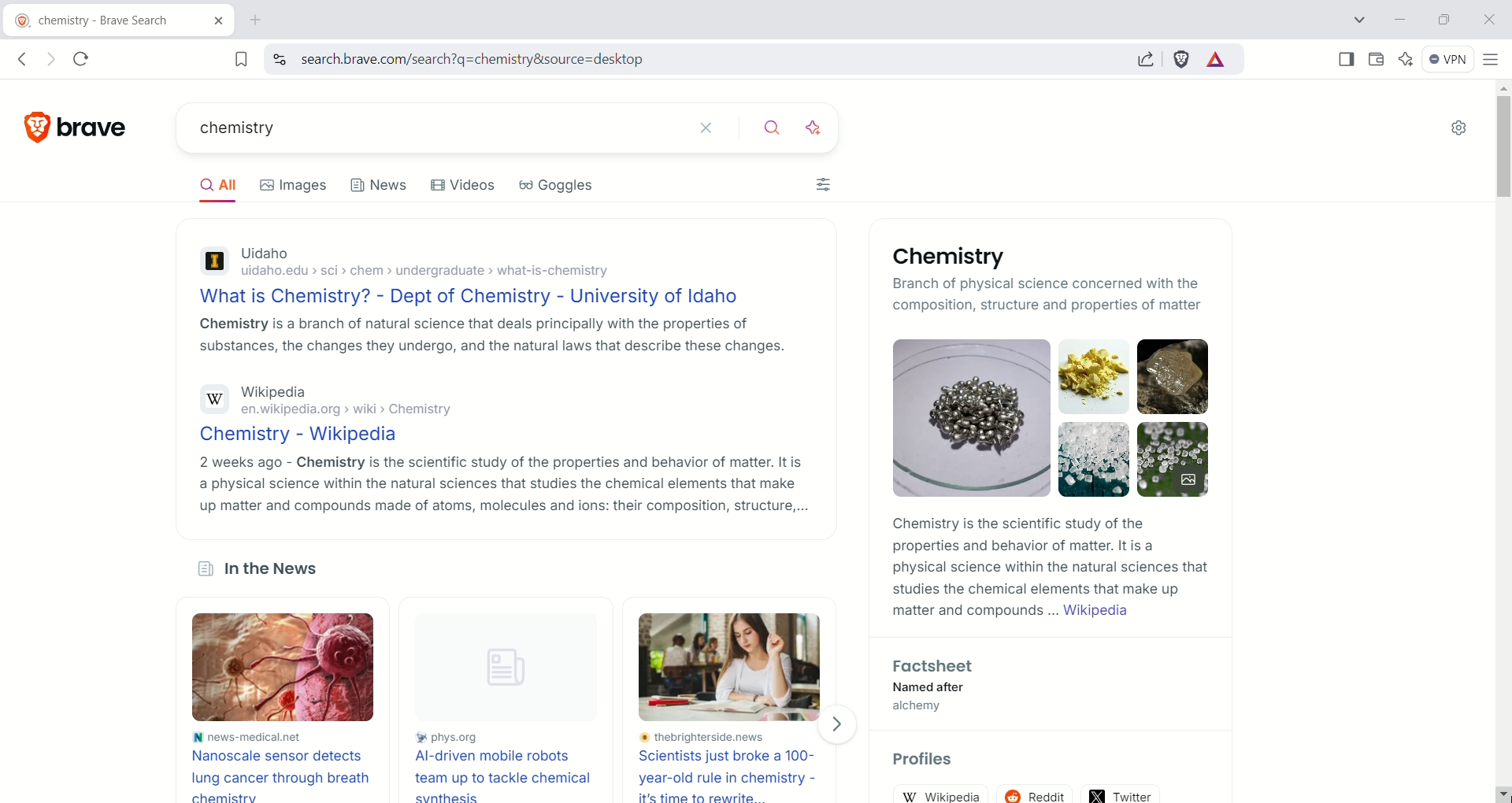  Describe the element at coordinates (1400, 20) in the screenshot. I see `minimize` at that location.